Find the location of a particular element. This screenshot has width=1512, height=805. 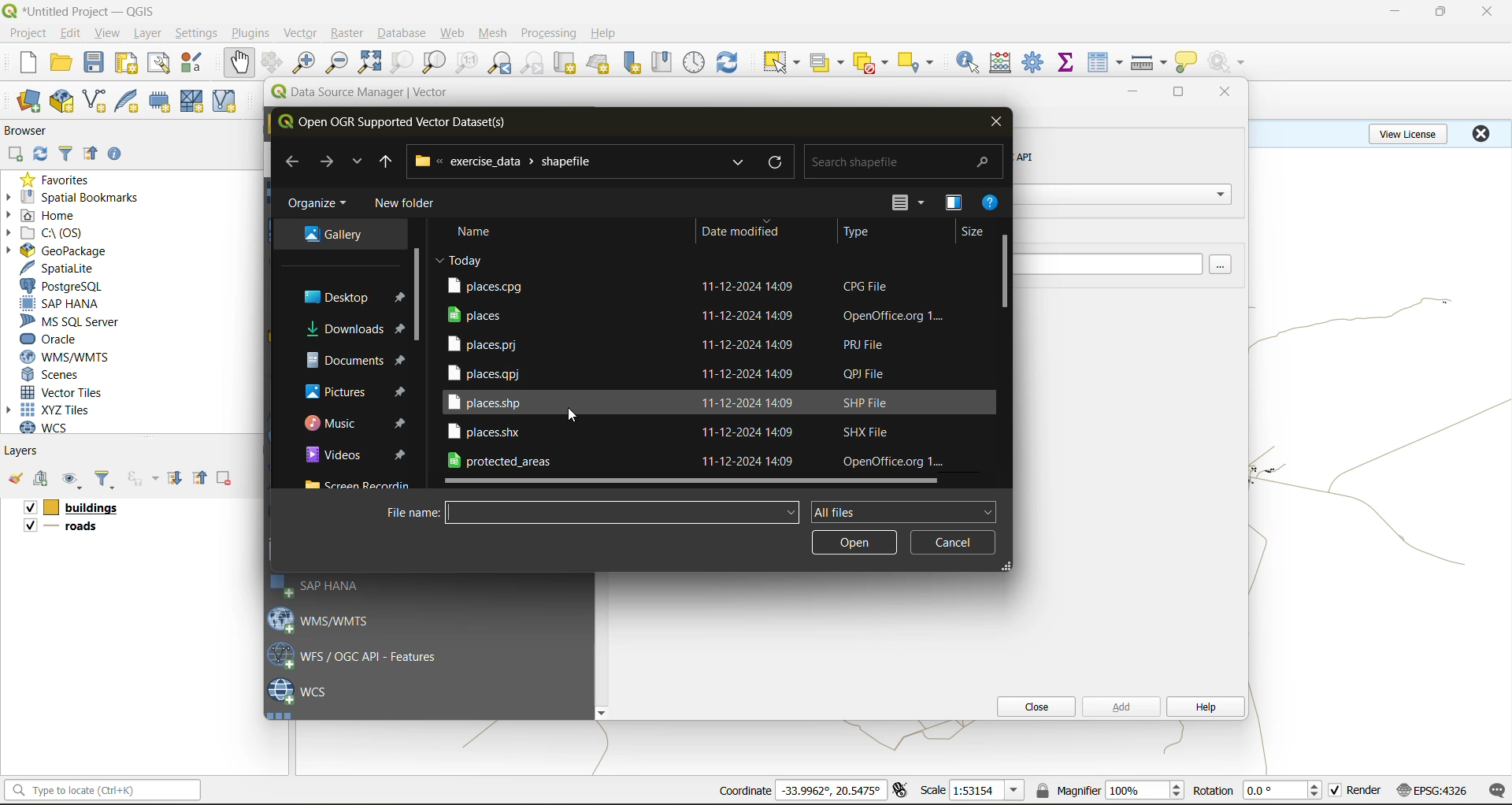

spatial bookmarks is located at coordinates (73, 198).